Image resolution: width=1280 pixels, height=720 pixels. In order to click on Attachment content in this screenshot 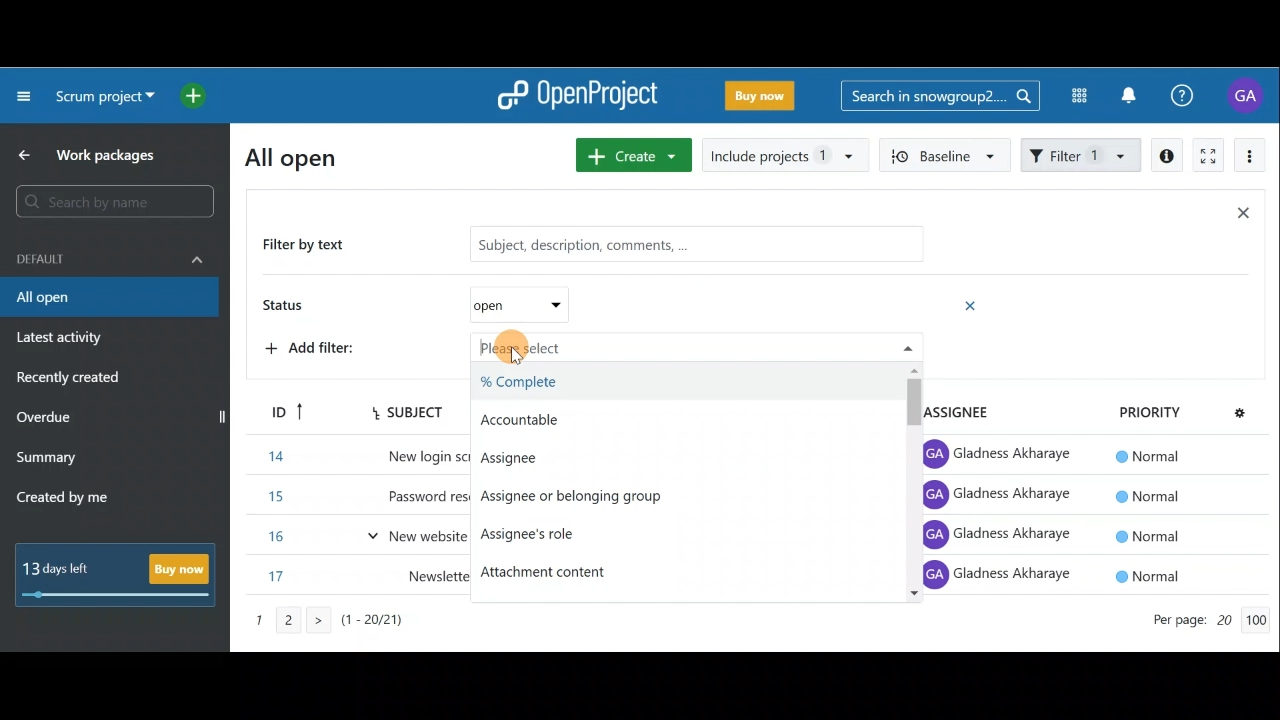, I will do `click(571, 572)`.